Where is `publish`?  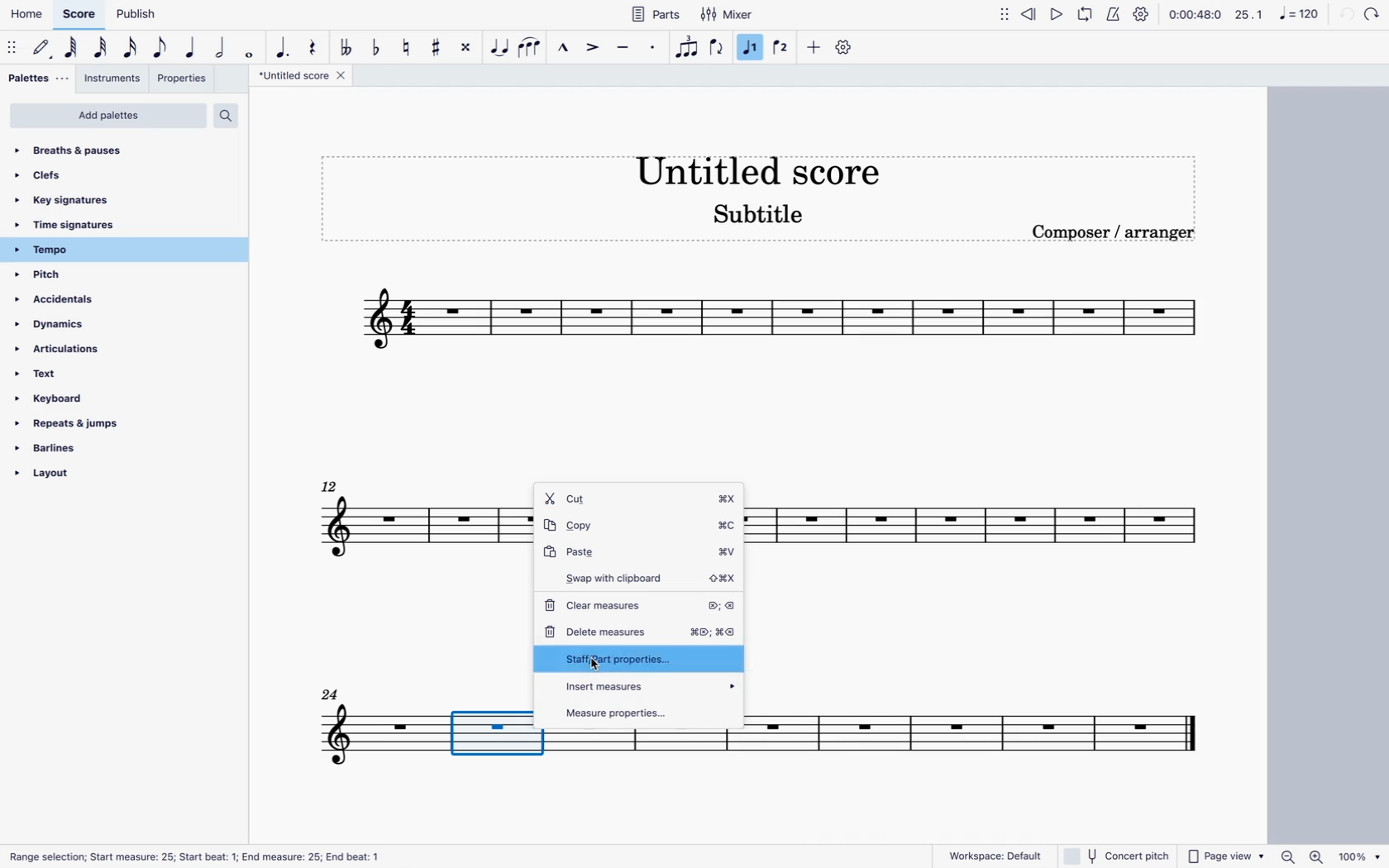 publish is located at coordinates (133, 17).